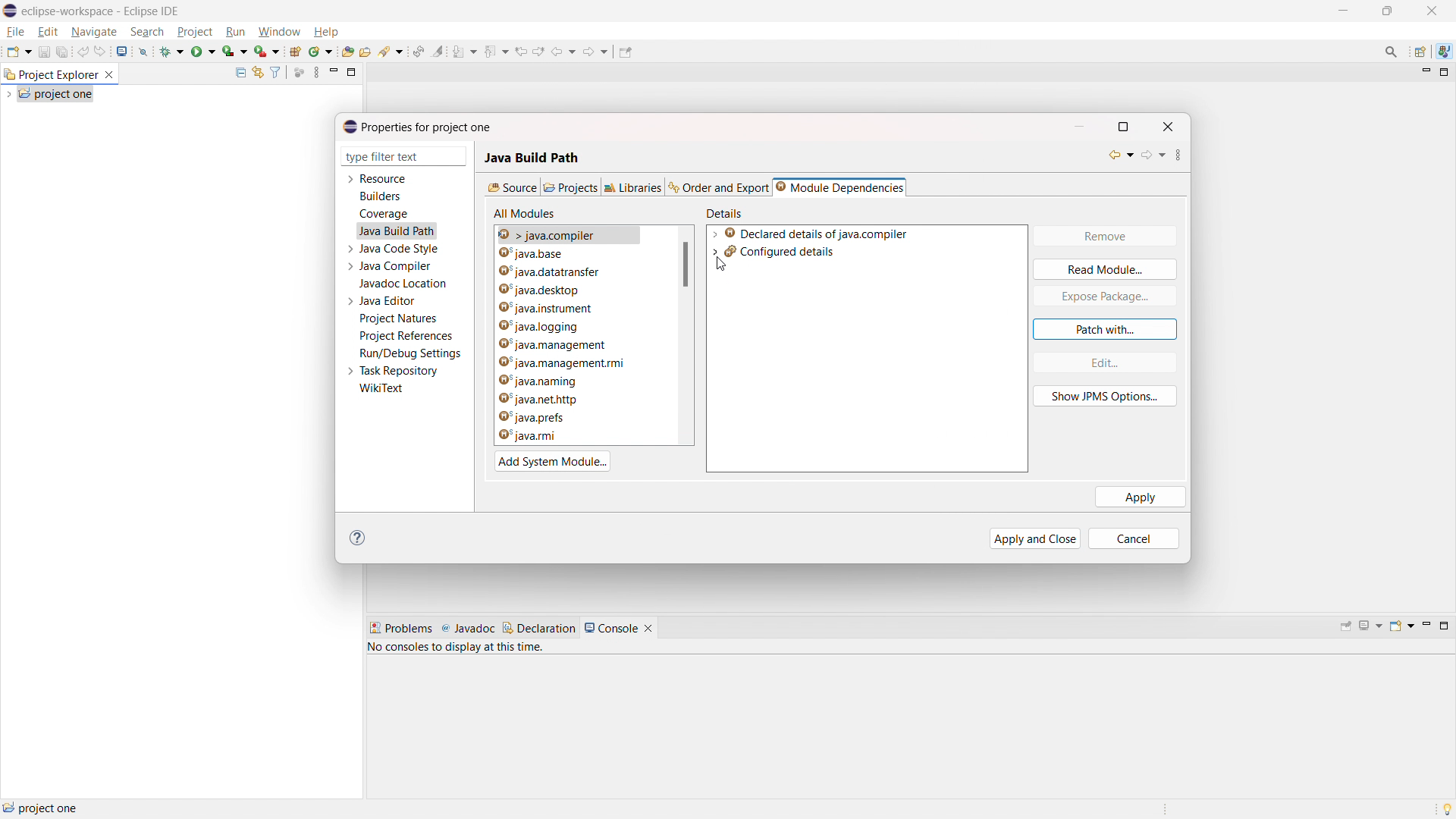  What do you see at coordinates (556, 436) in the screenshot?
I see `java.rmi` at bounding box center [556, 436].